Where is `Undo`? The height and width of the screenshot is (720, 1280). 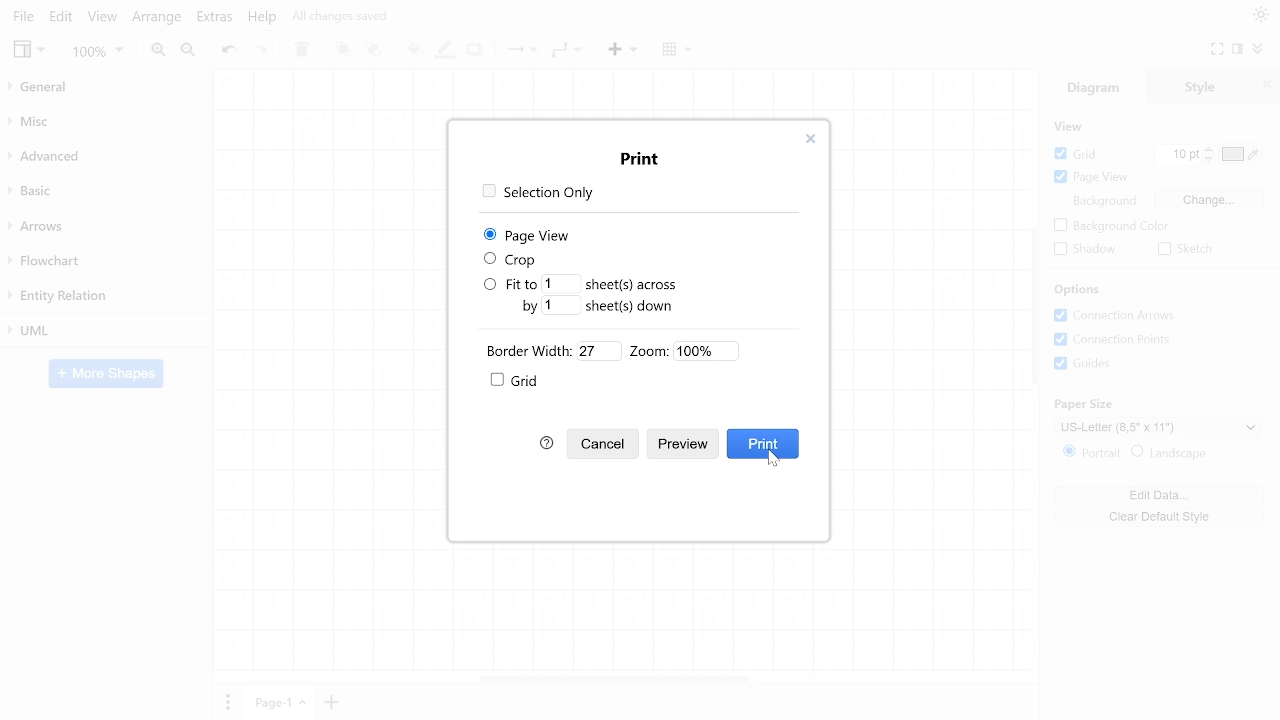 Undo is located at coordinates (229, 52).